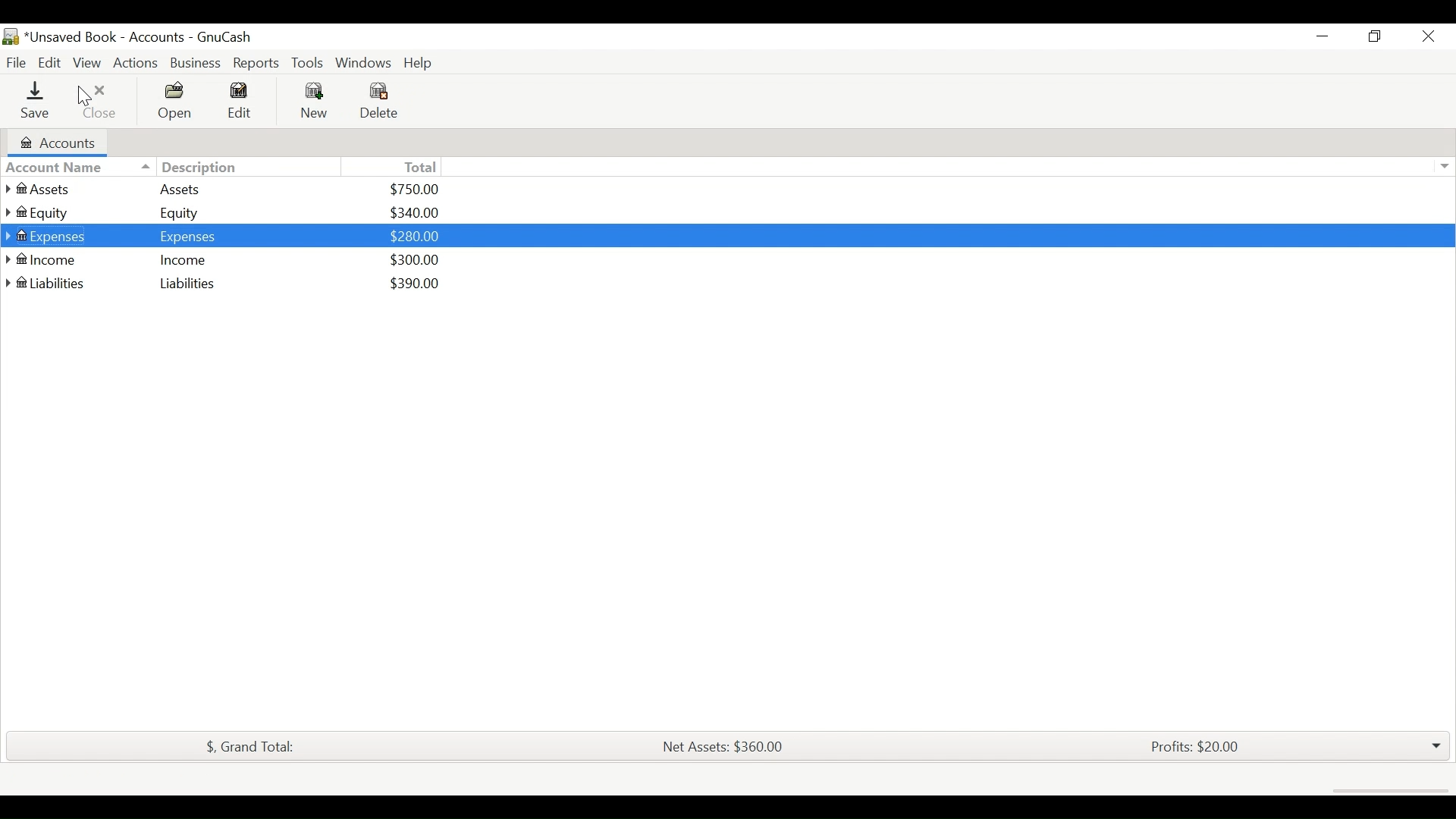 This screenshot has height=819, width=1456. I want to click on New, so click(312, 101).